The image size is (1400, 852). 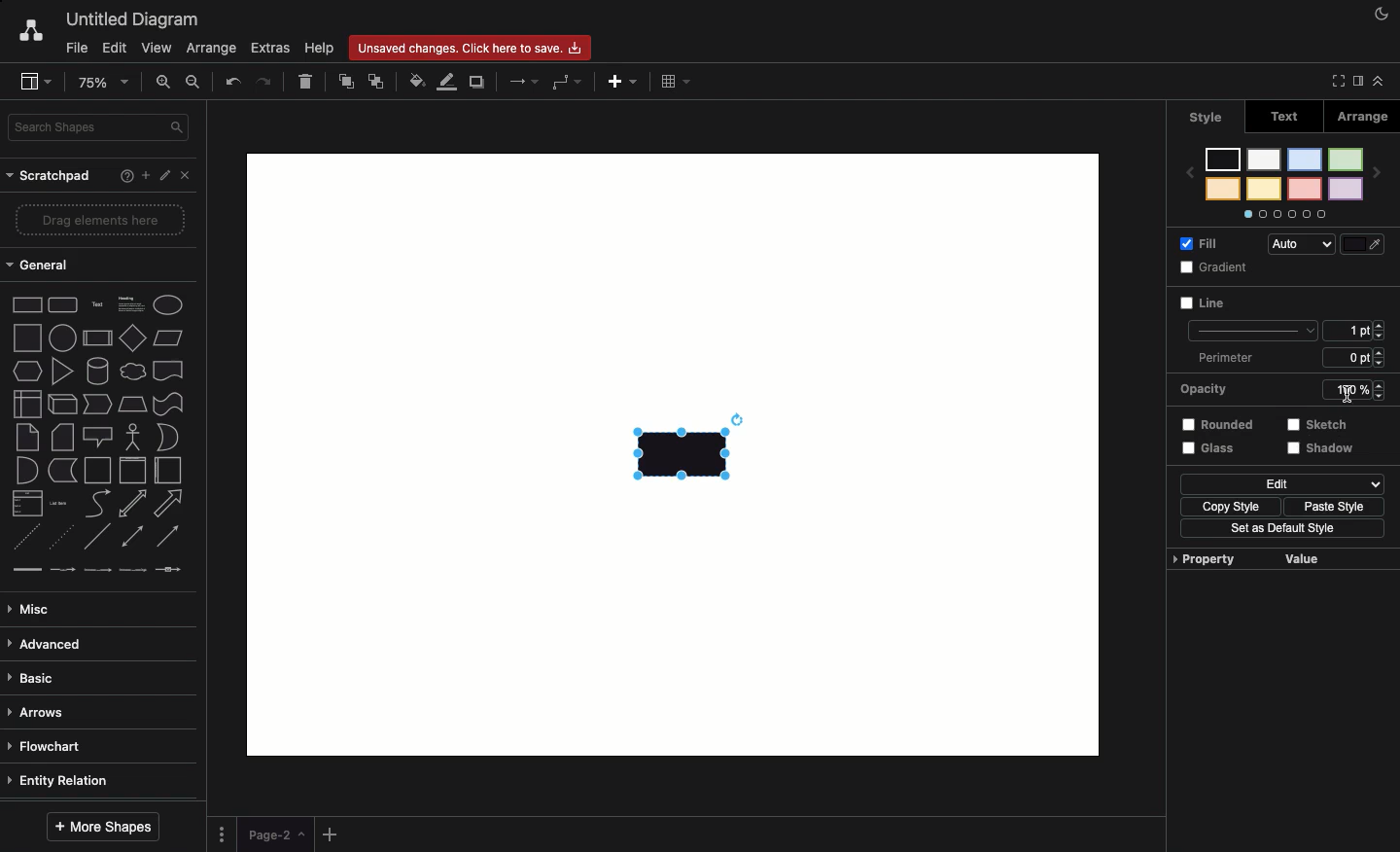 What do you see at coordinates (1232, 357) in the screenshot?
I see `Perimeter` at bounding box center [1232, 357].